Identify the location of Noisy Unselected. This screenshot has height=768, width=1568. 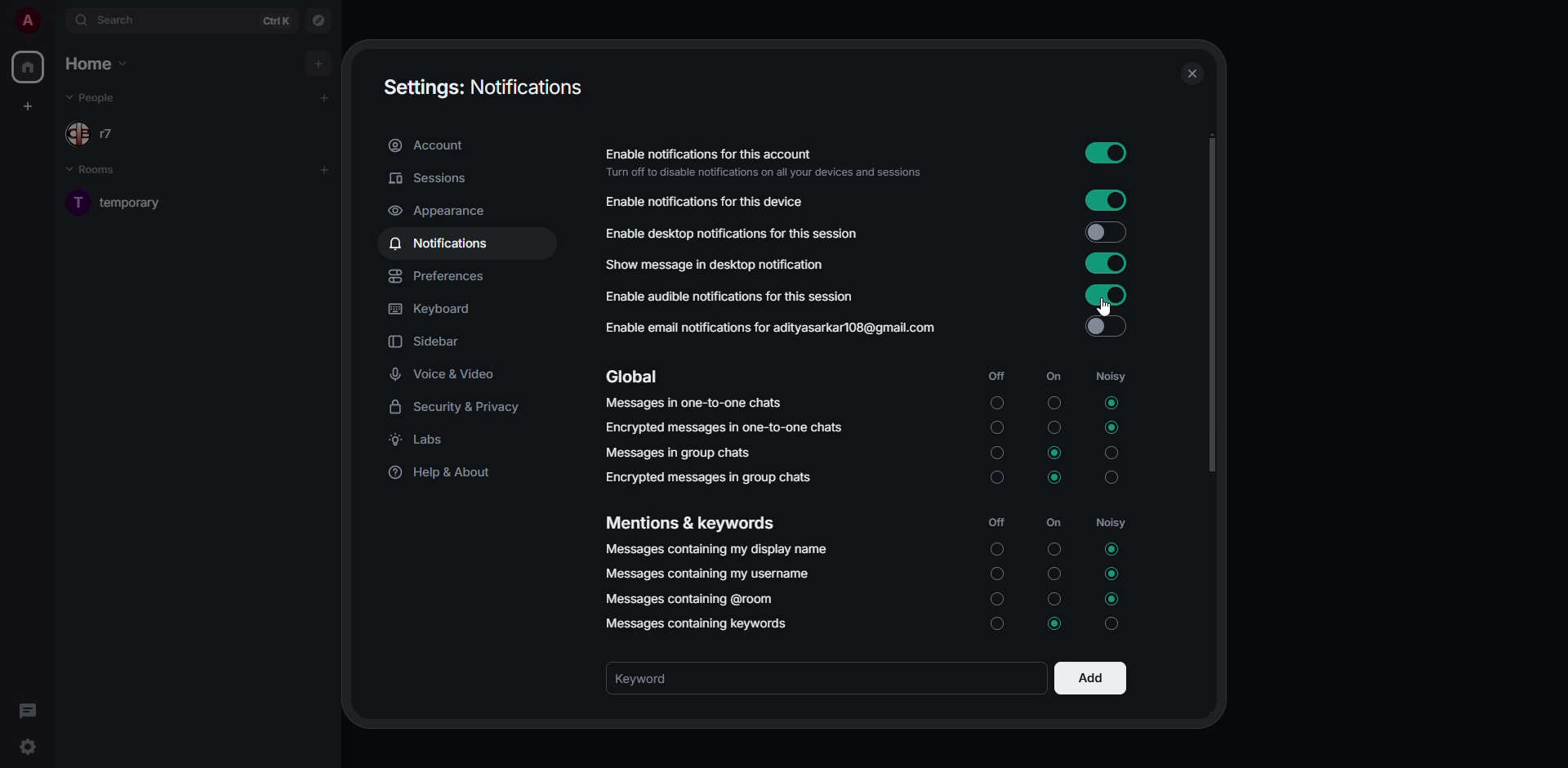
(1113, 477).